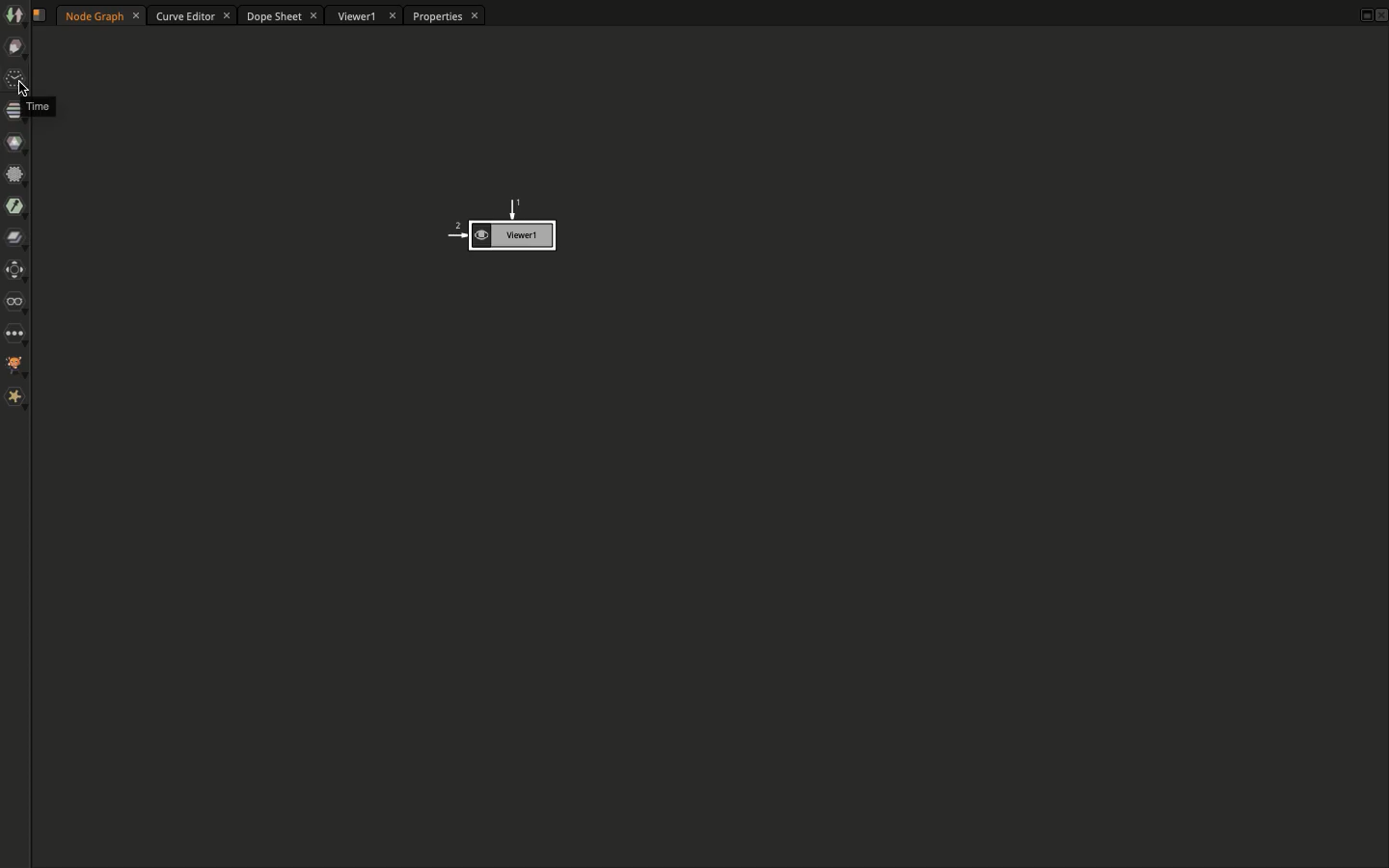 This screenshot has width=1389, height=868. What do you see at coordinates (15, 272) in the screenshot?
I see `Transform` at bounding box center [15, 272].